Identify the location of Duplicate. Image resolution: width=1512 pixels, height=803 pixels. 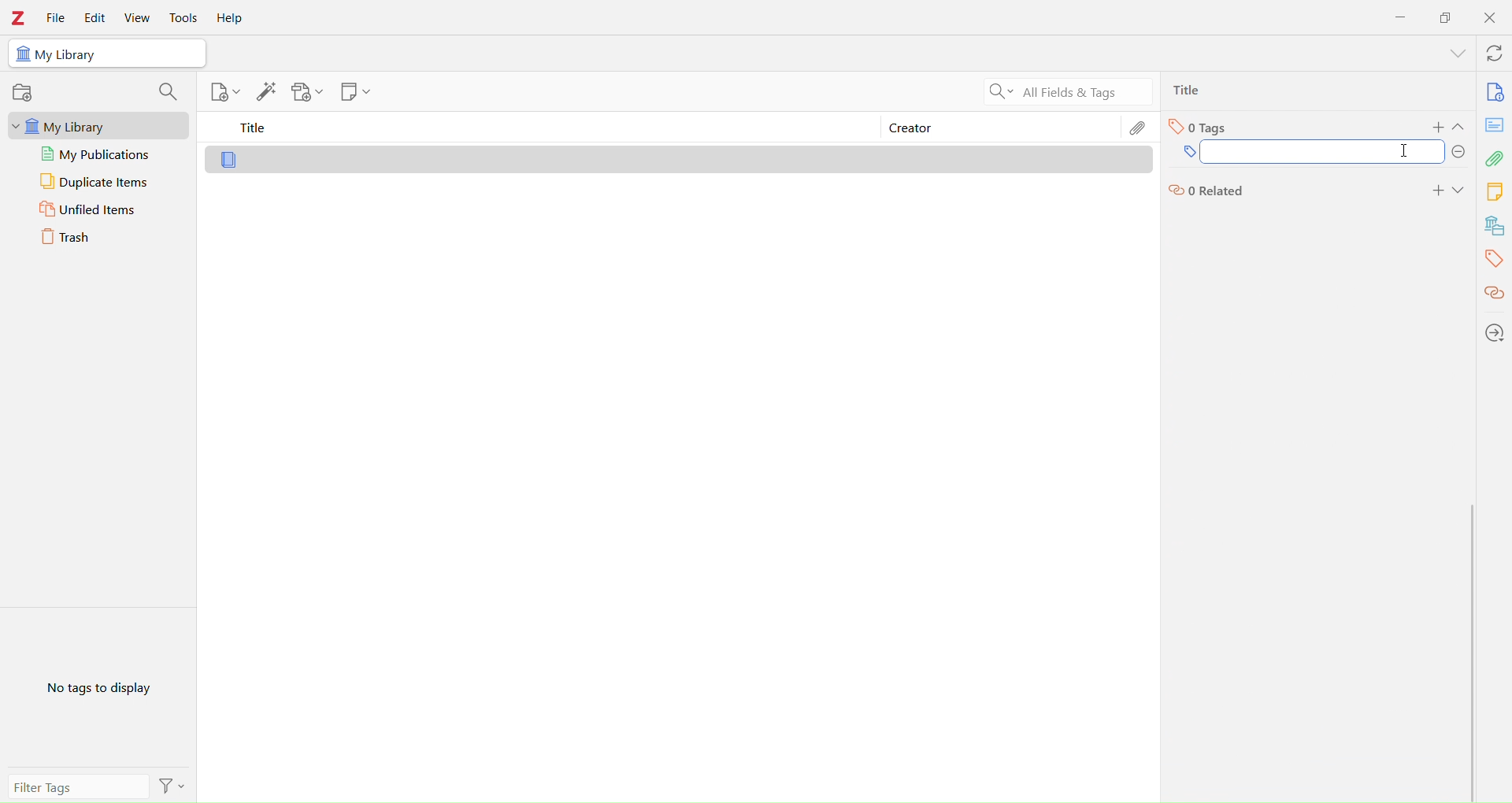
(1449, 17).